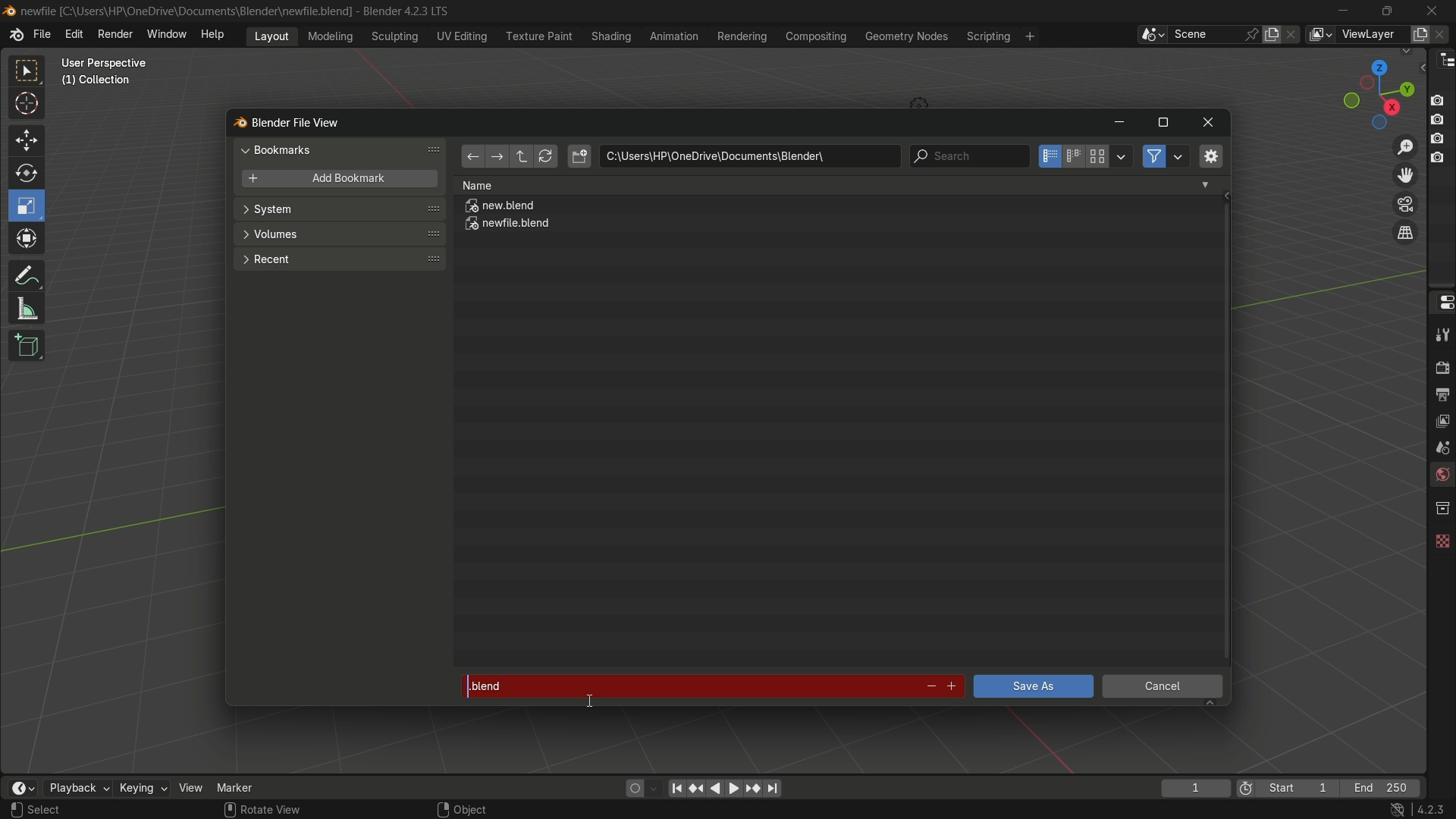 This screenshot has height=819, width=1456. I want to click on new directory, so click(579, 156).